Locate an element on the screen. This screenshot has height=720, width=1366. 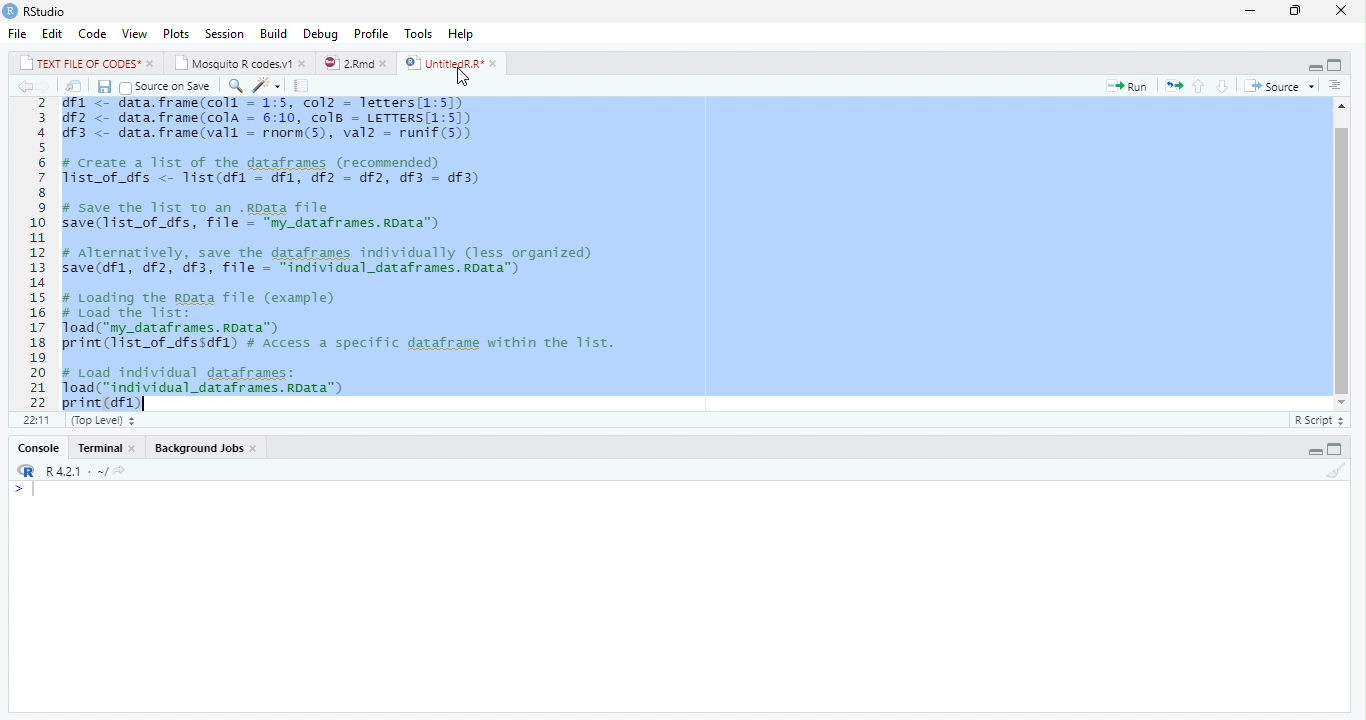
Terminal is located at coordinates (108, 448).